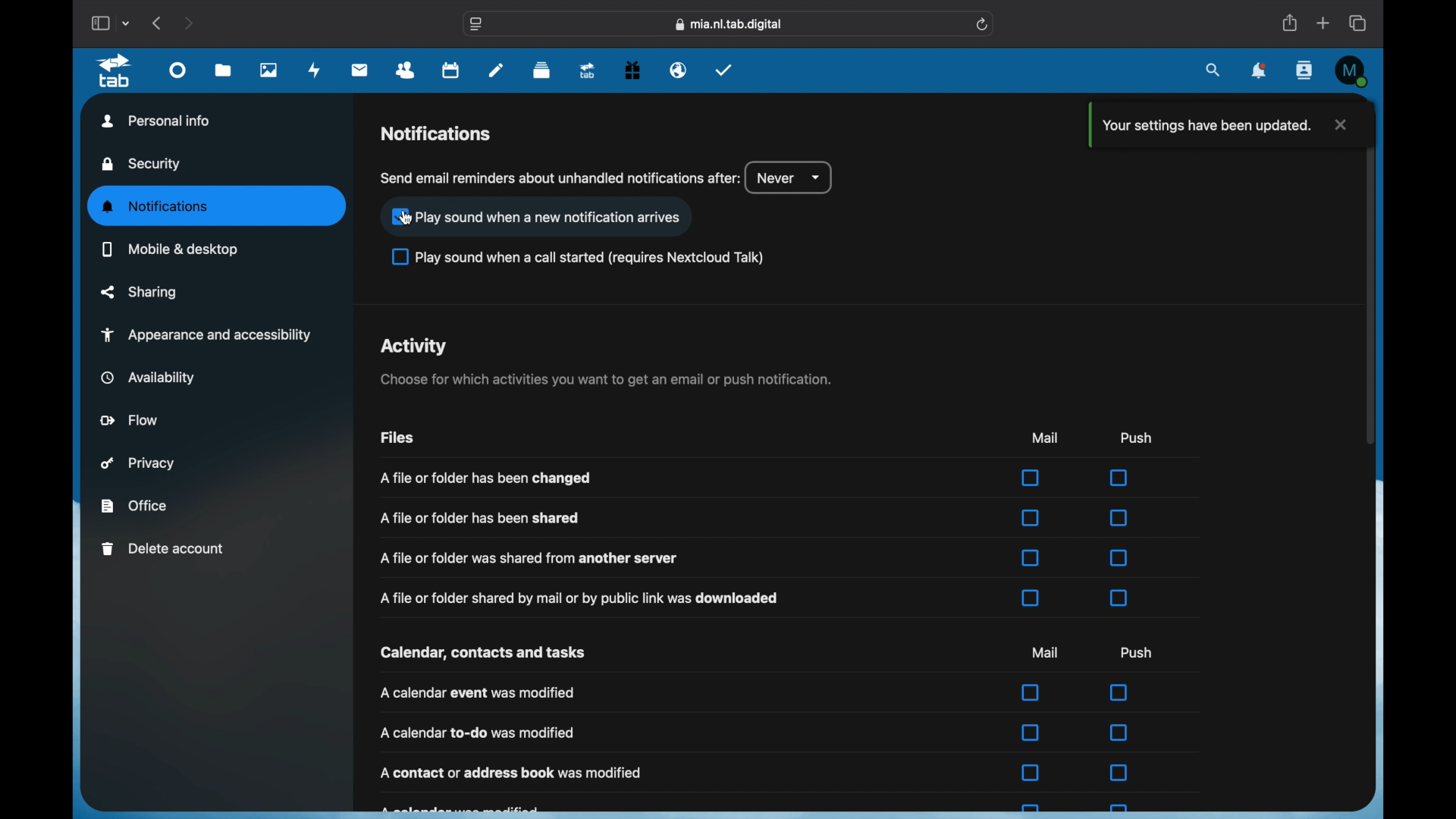 The image size is (1456, 819). What do you see at coordinates (1045, 437) in the screenshot?
I see `mail` at bounding box center [1045, 437].